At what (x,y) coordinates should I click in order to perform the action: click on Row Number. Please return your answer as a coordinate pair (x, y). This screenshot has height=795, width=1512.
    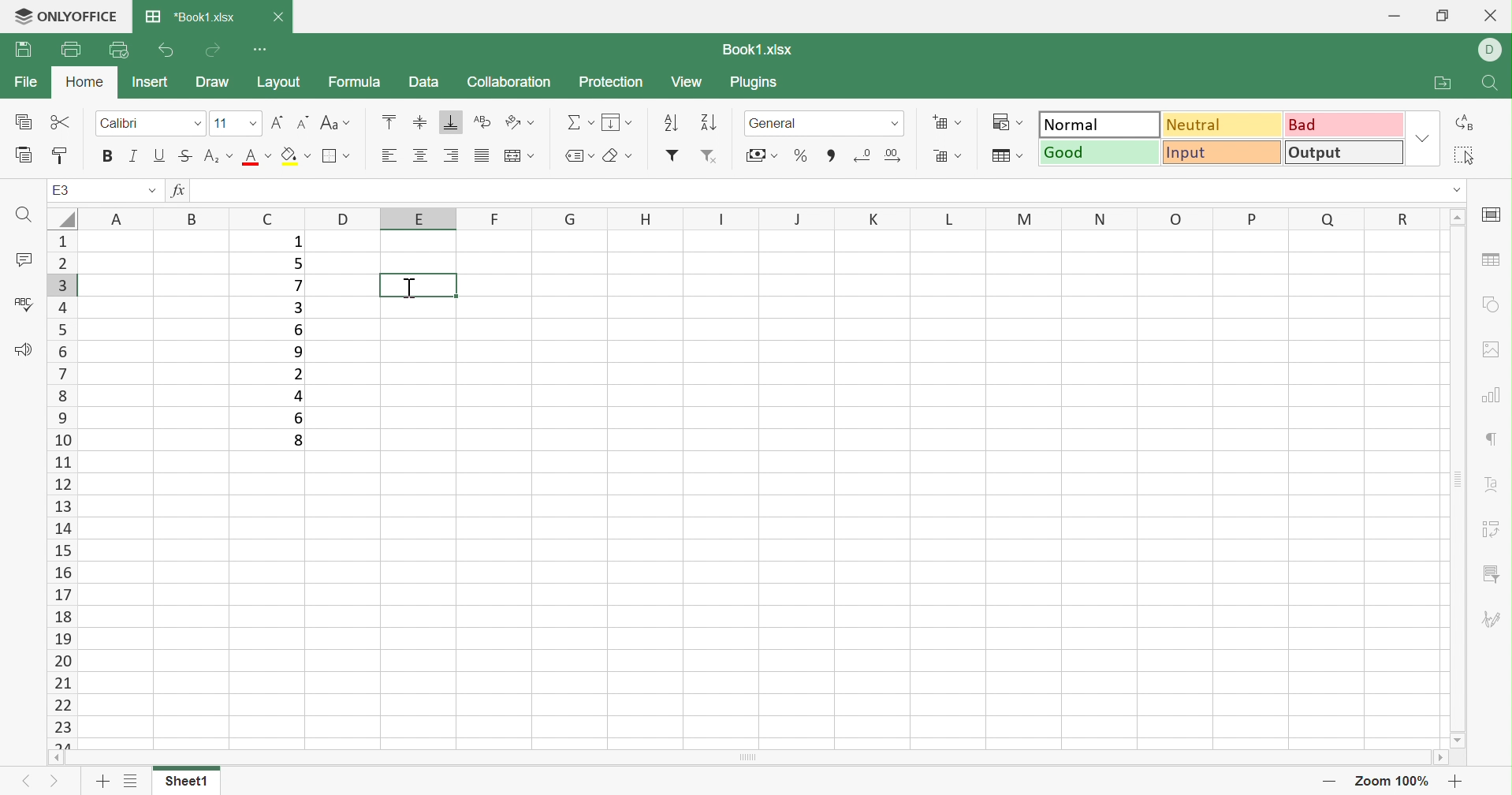
    Looking at the image, I should click on (62, 488).